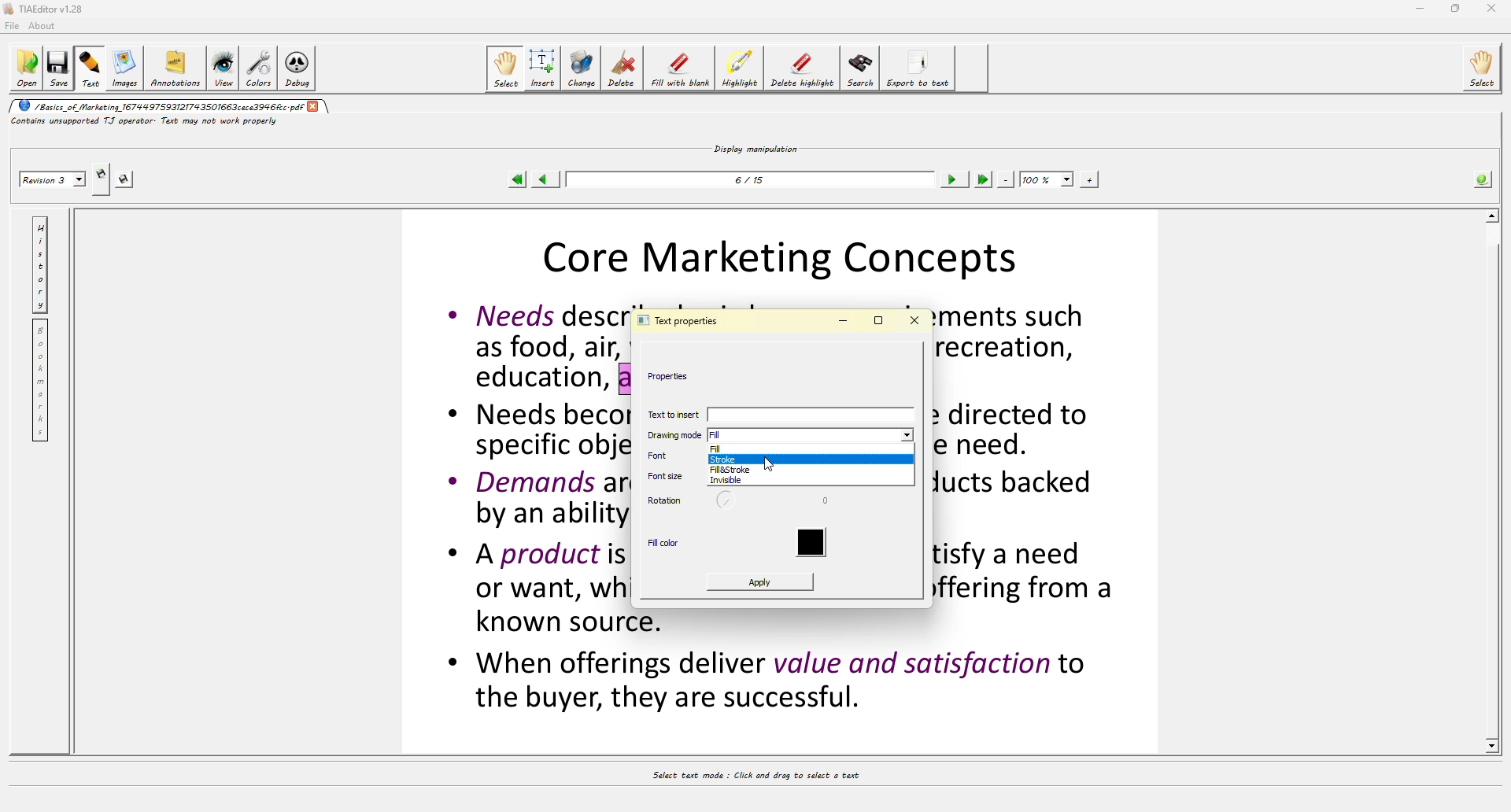 This screenshot has width=1511, height=812. What do you see at coordinates (683, 319) in the screenshot?
I see `text properties` at bounding box center [683, 319].